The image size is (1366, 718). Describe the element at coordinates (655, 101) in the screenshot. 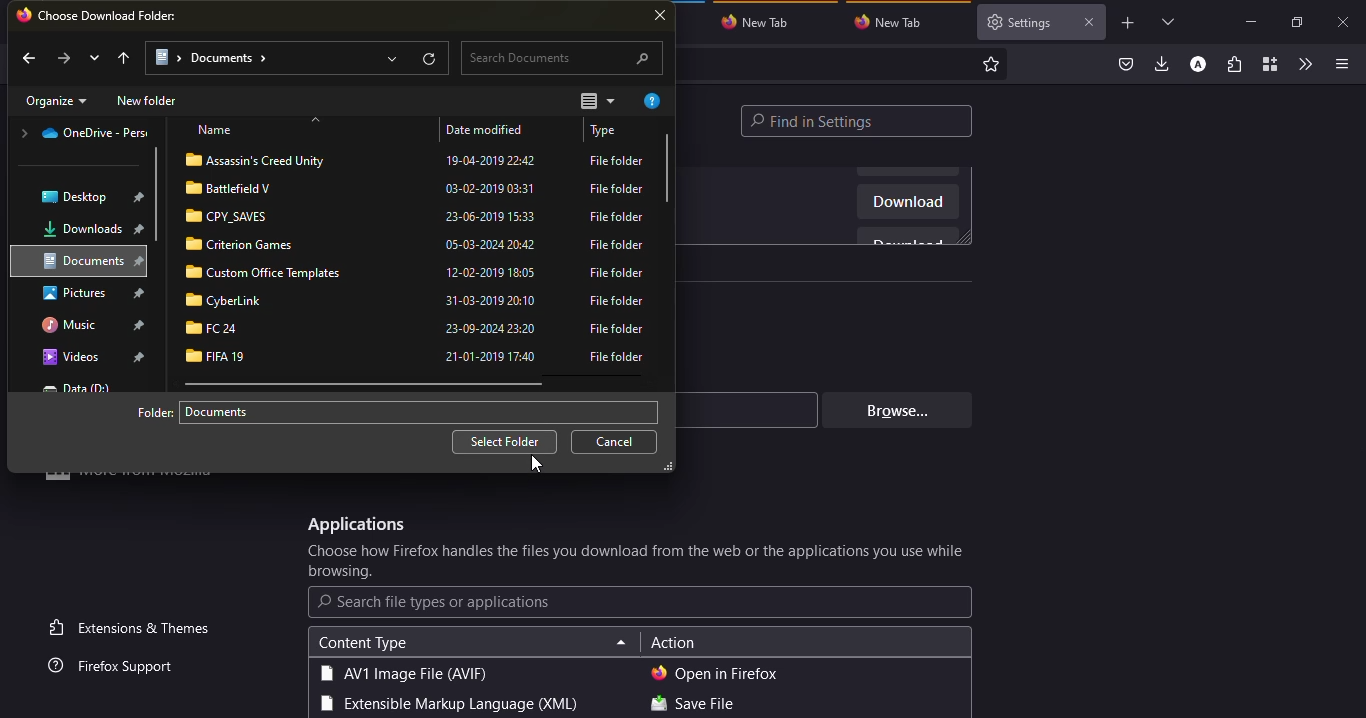

I see `info` at that location.